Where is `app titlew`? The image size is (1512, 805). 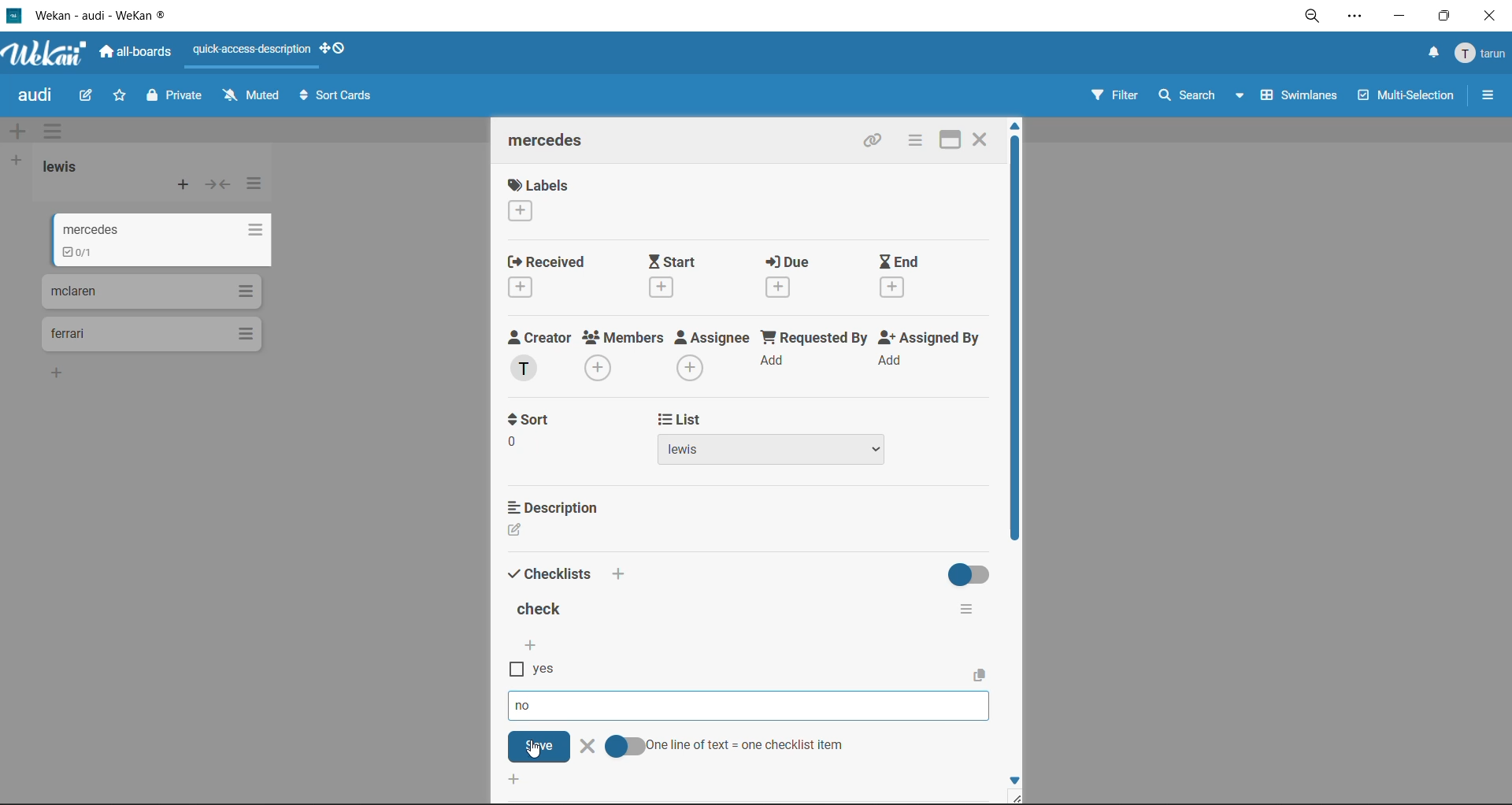 app titlew is located at coordinates (124, 18).